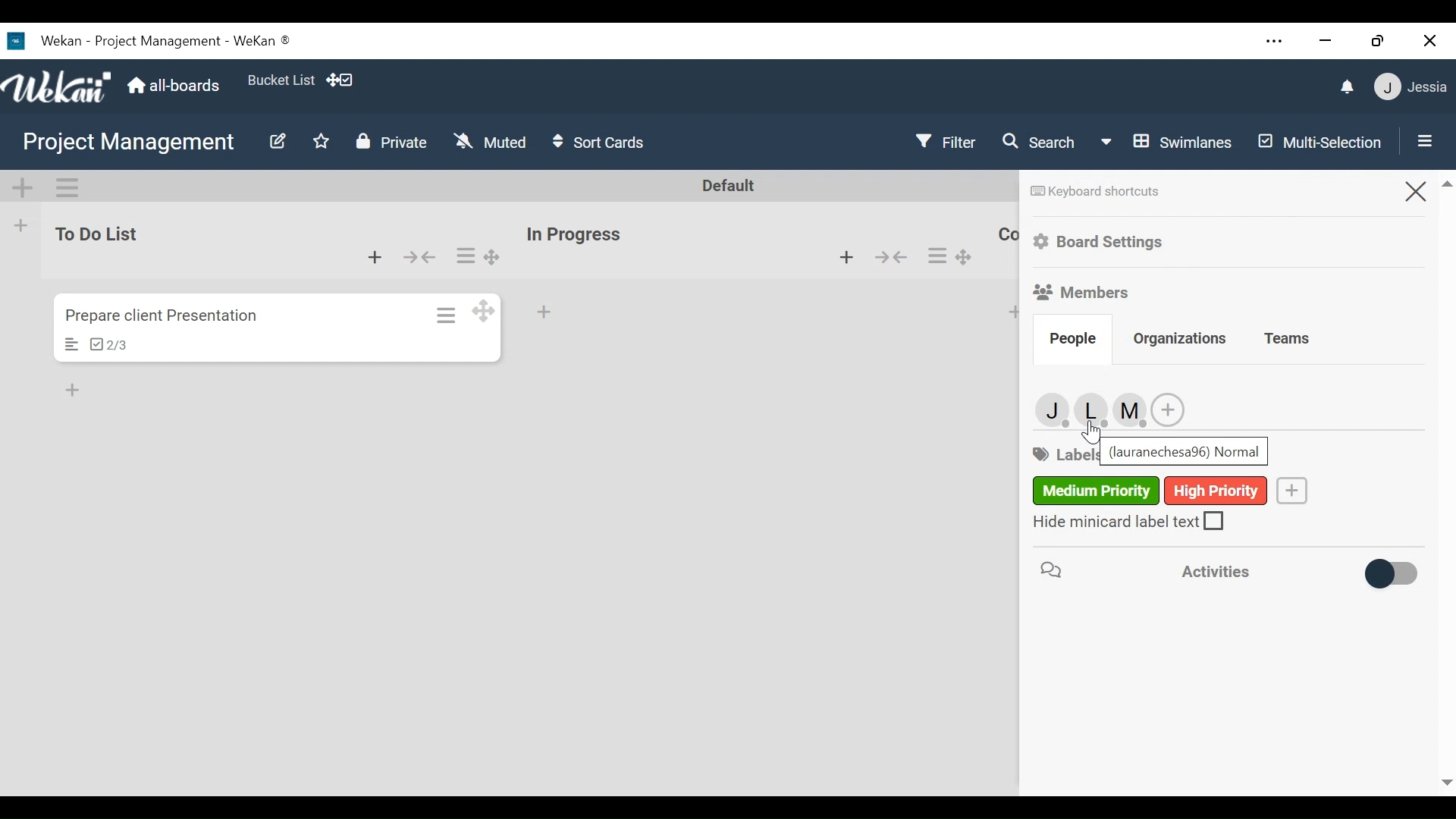 This screenshot has height=819, width=1456. What do you see at coordinates (1414, 190) in the screenshot?
I see `Close` at bounding box center [1414, 190].